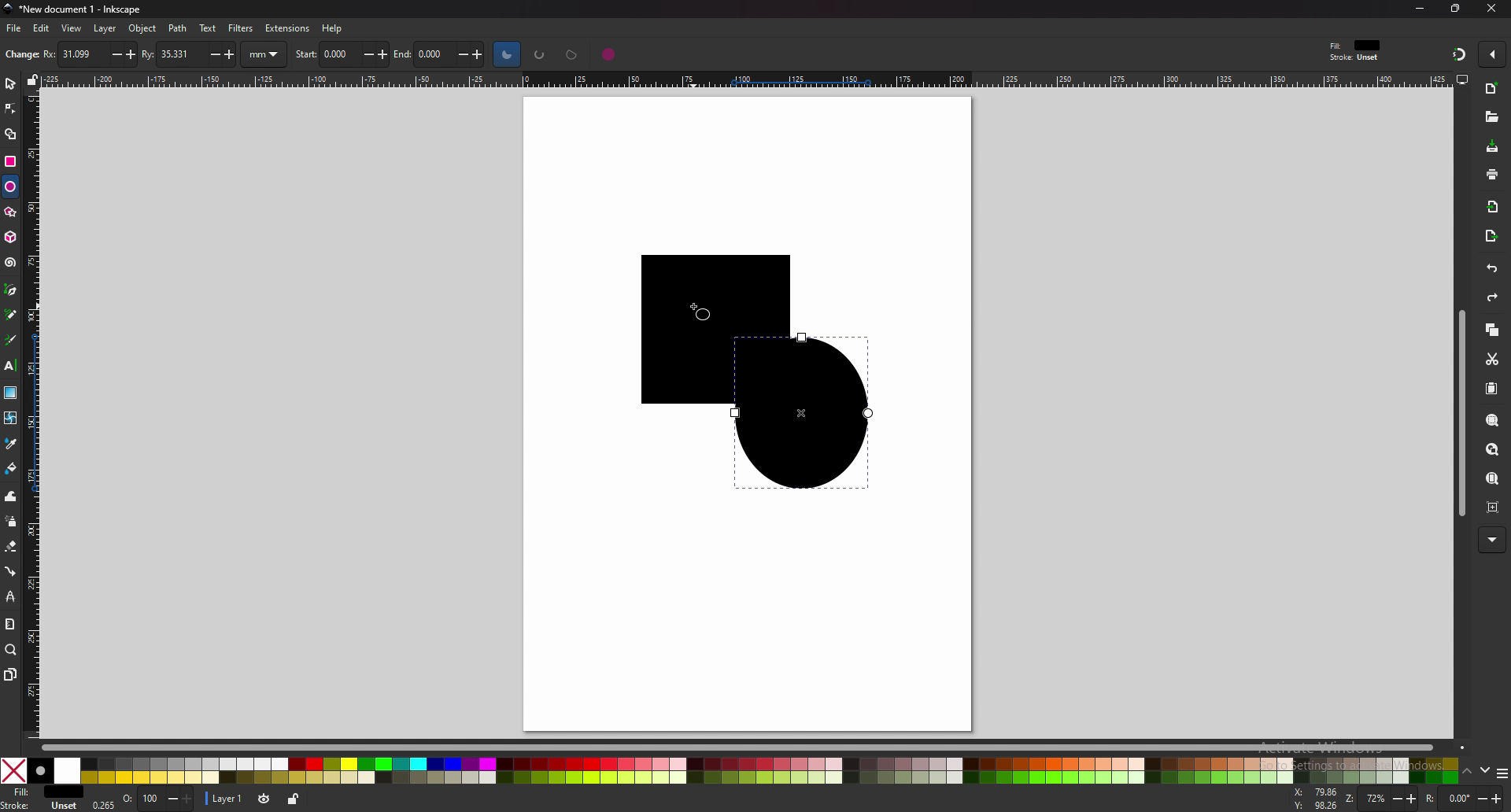  What do you see at coordinates (1502, 773) in the screenshot?
I see `more colors` at bounding box center [1502, 773].